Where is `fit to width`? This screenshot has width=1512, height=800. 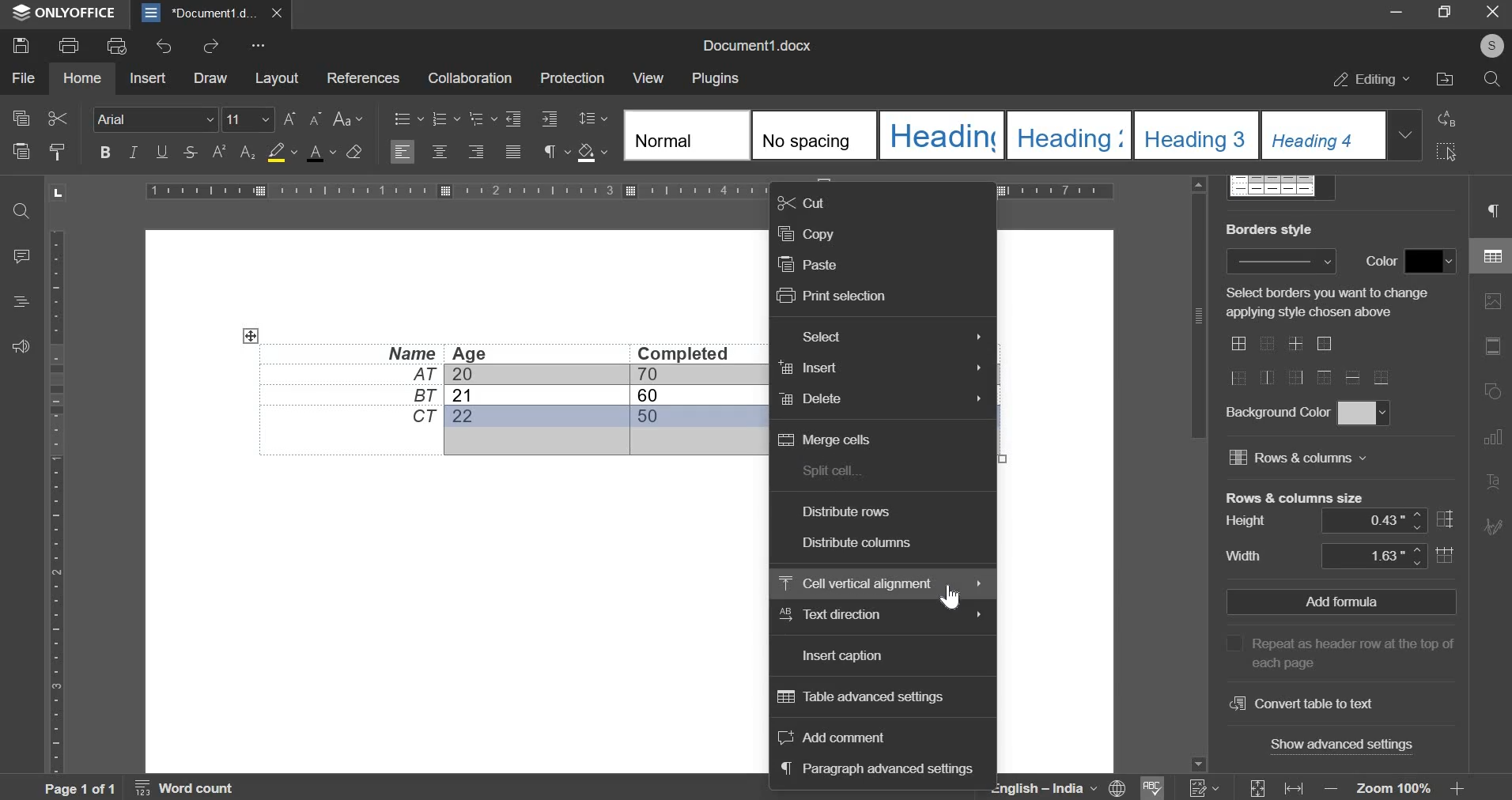 fit to width is located at coordinates (1295, 789).